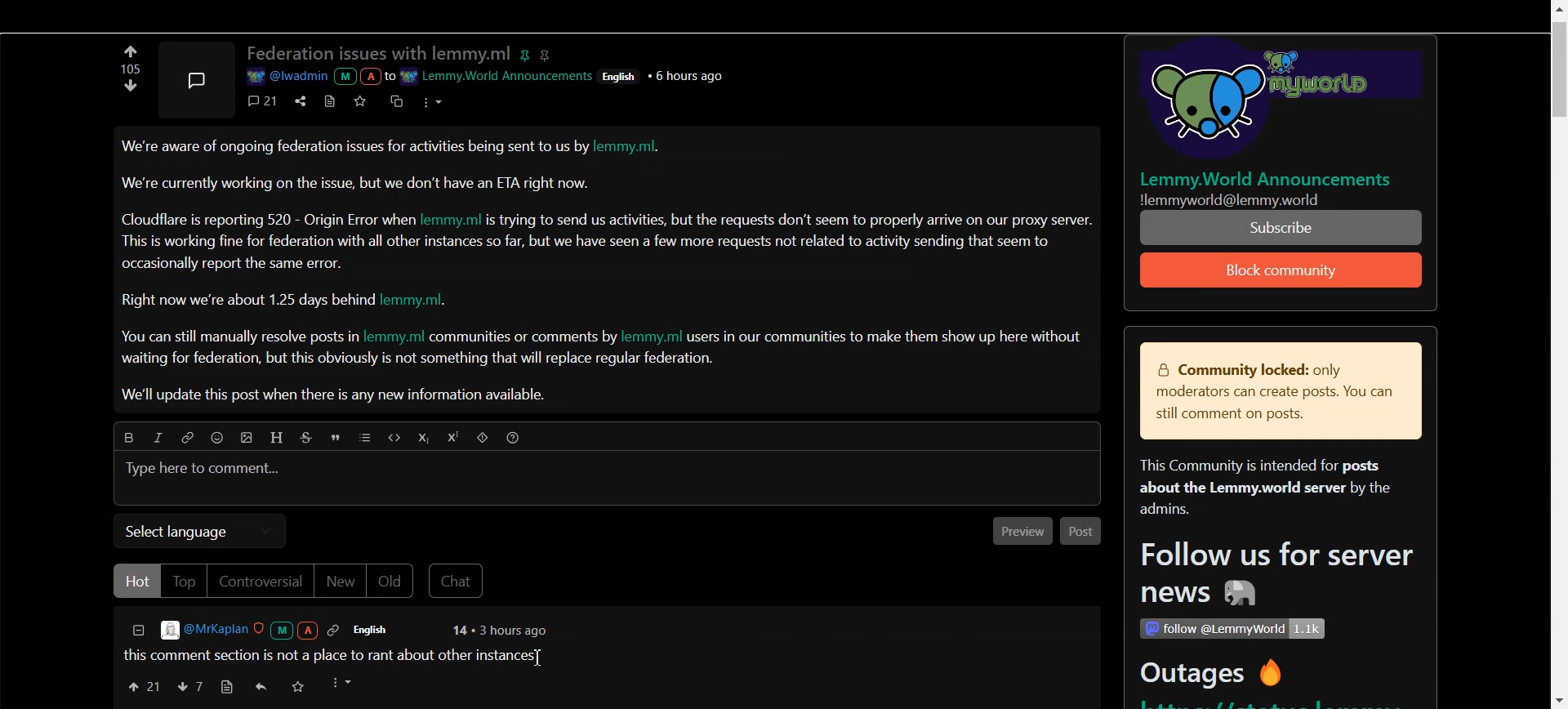  Describe the element at coordinates (262, 687) in the screenshot. I see `Reply` at that location.